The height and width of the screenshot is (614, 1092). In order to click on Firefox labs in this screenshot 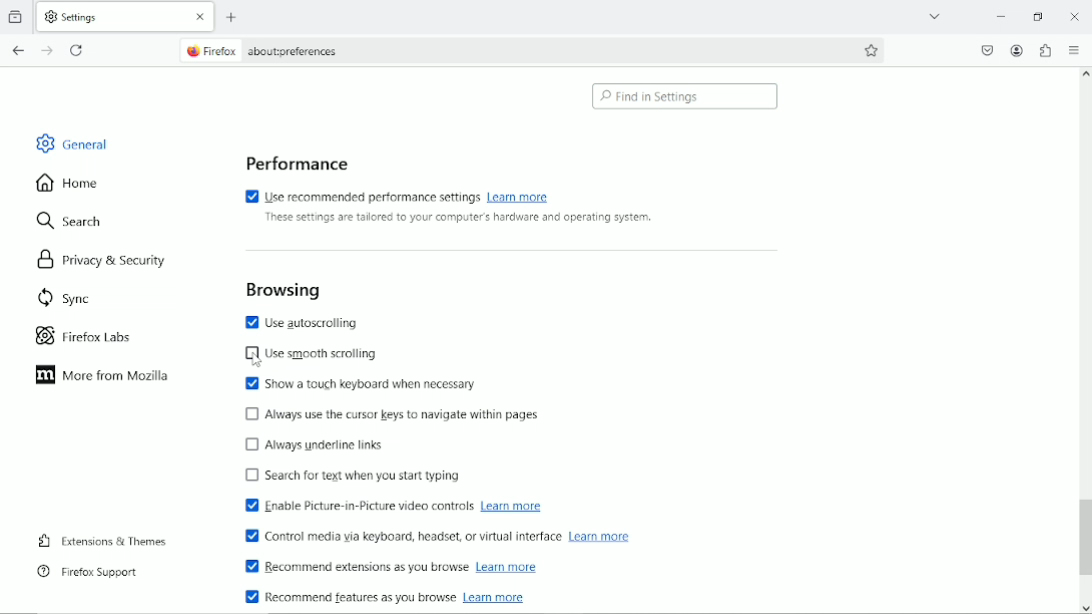, I will do `click(98, 336)`.